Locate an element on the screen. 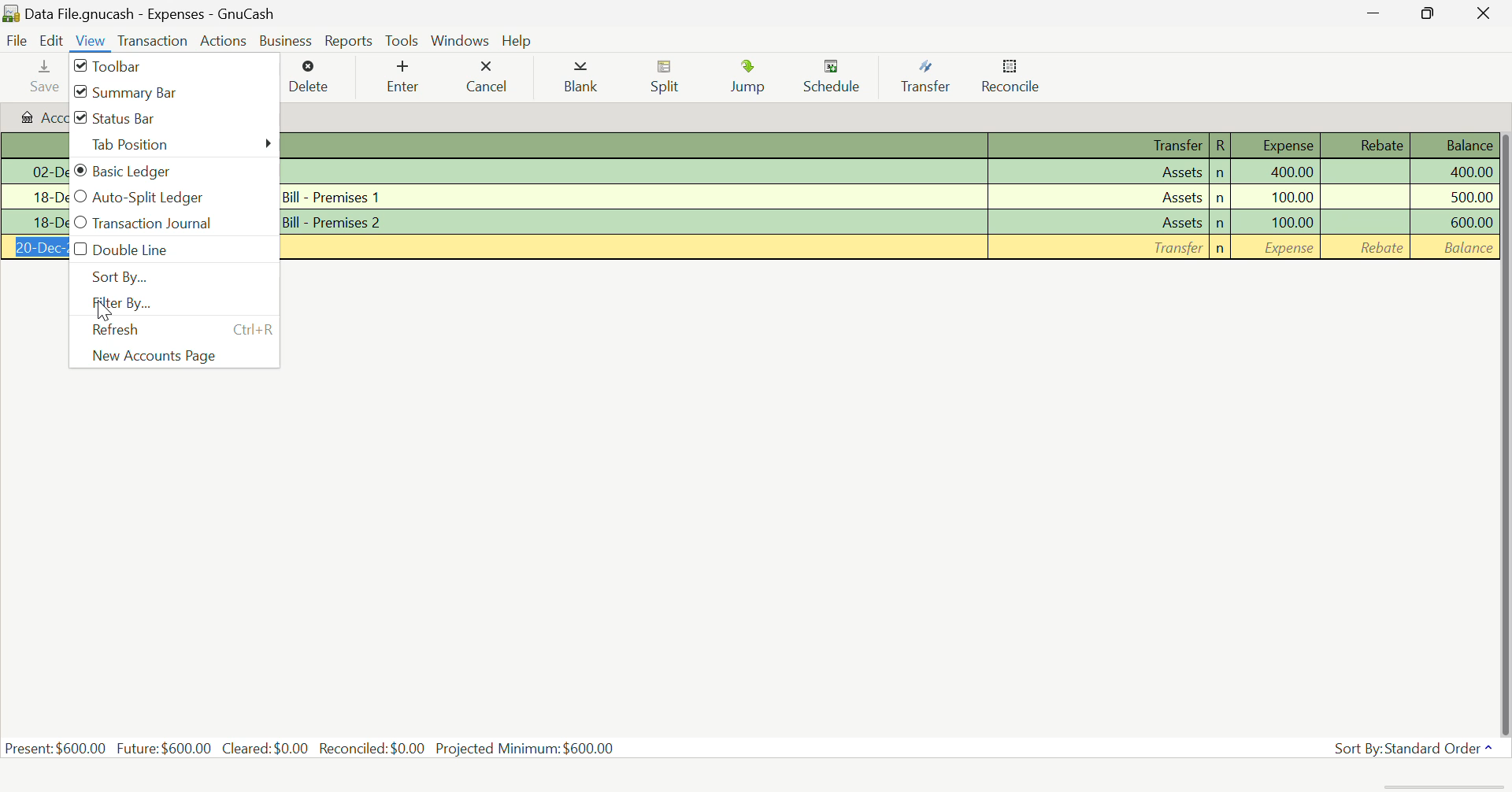 This screenshot has width=1512, height=792. Auto-Split Ledger is located at coordinates (173, 198).